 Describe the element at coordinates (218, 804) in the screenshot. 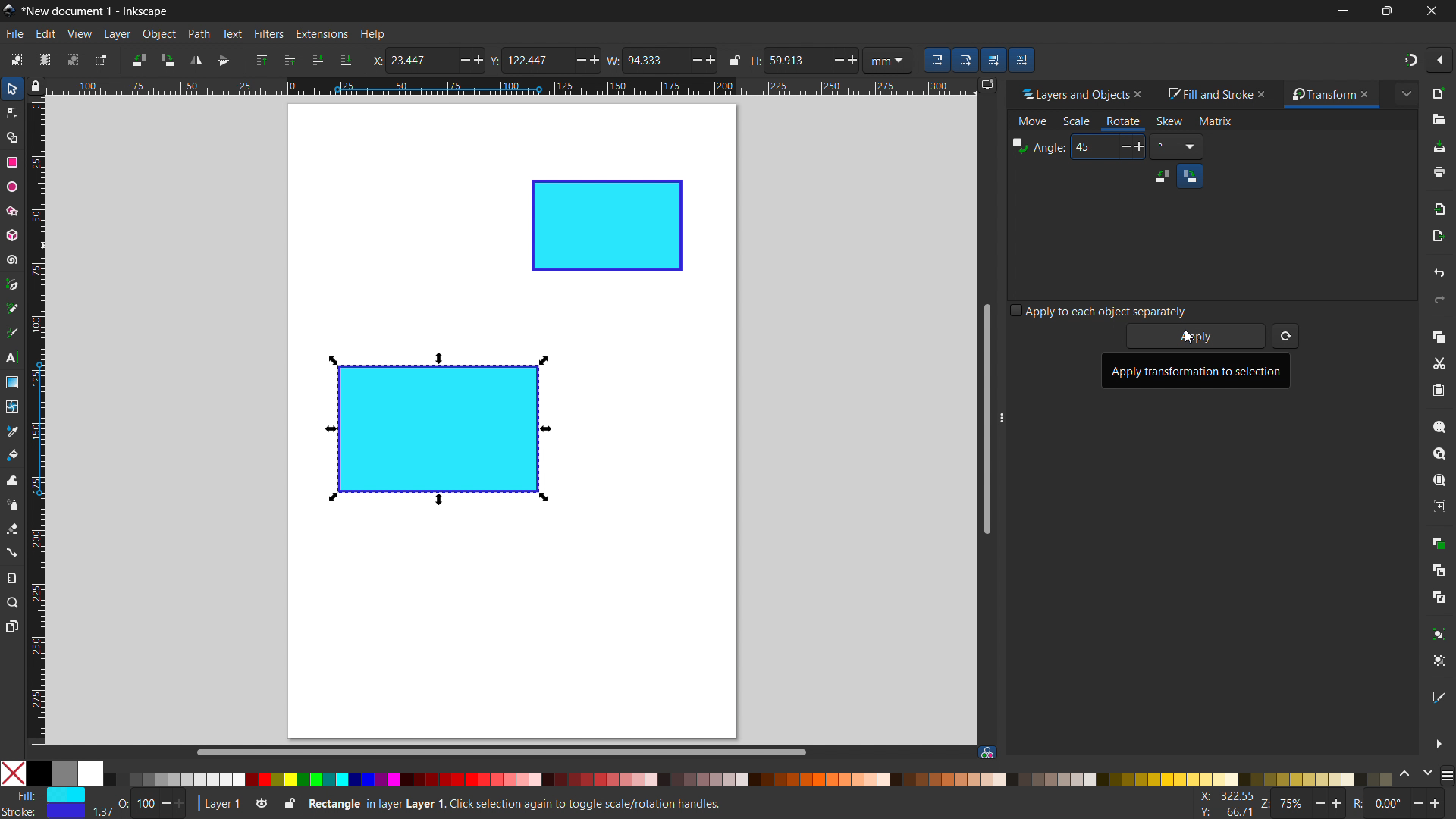

I see `current layer` at that location.